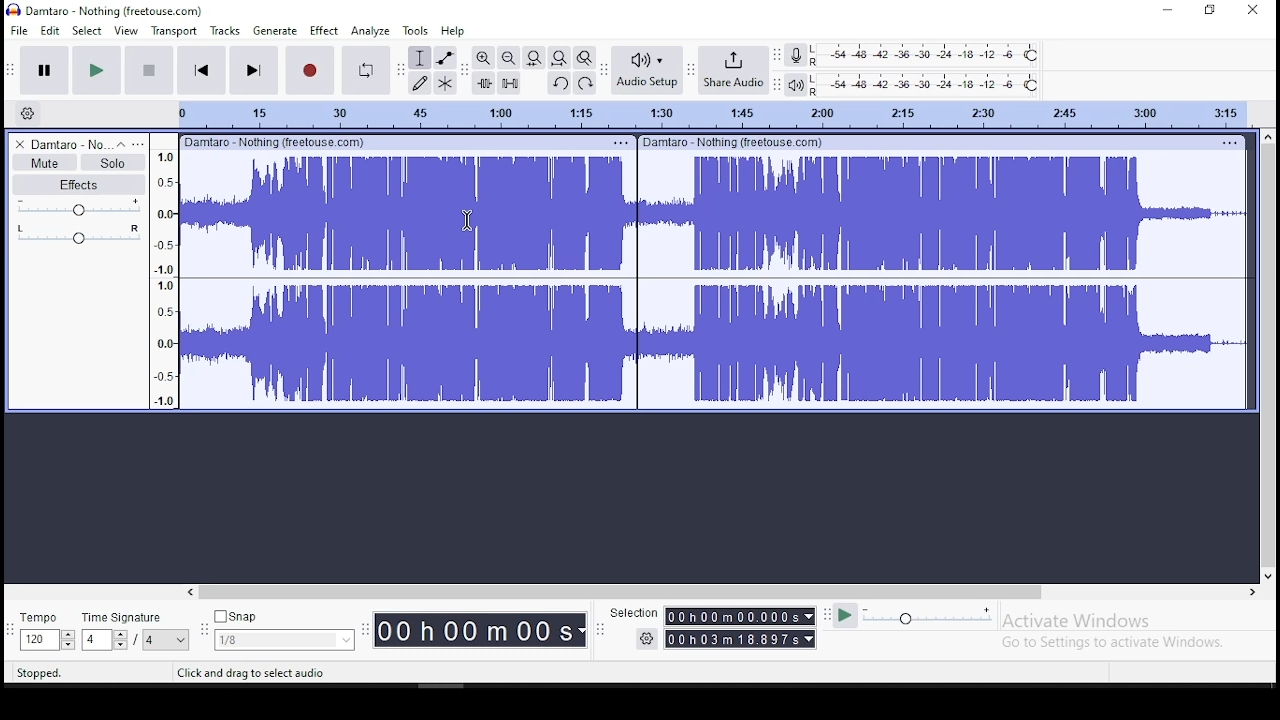  I want to click on audio track name, so click(70, 145).